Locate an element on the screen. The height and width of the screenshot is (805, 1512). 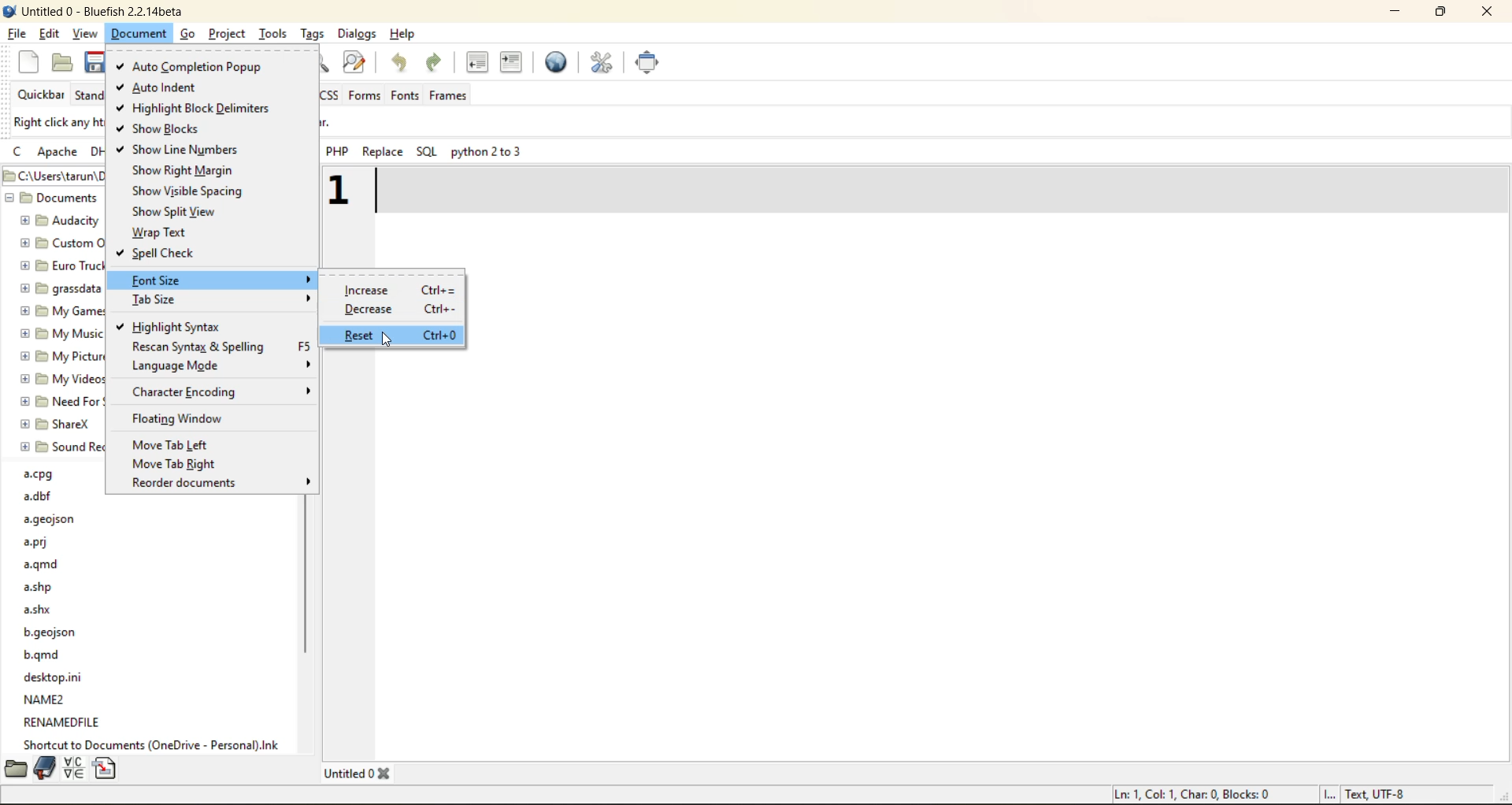
show blocks is located at coordinates (170, 130).